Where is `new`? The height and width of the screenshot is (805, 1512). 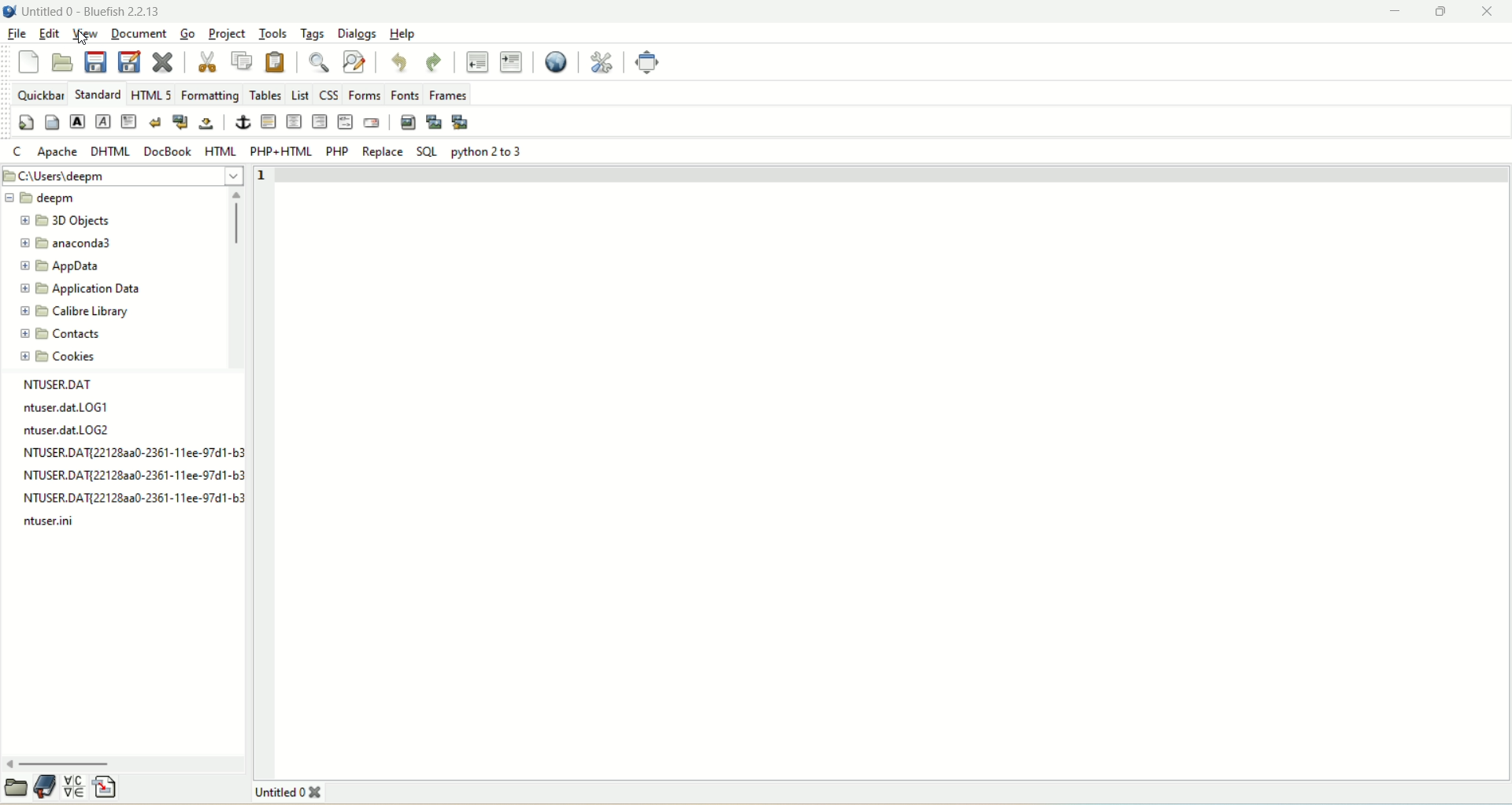 new is located at coordinates (31, 61).